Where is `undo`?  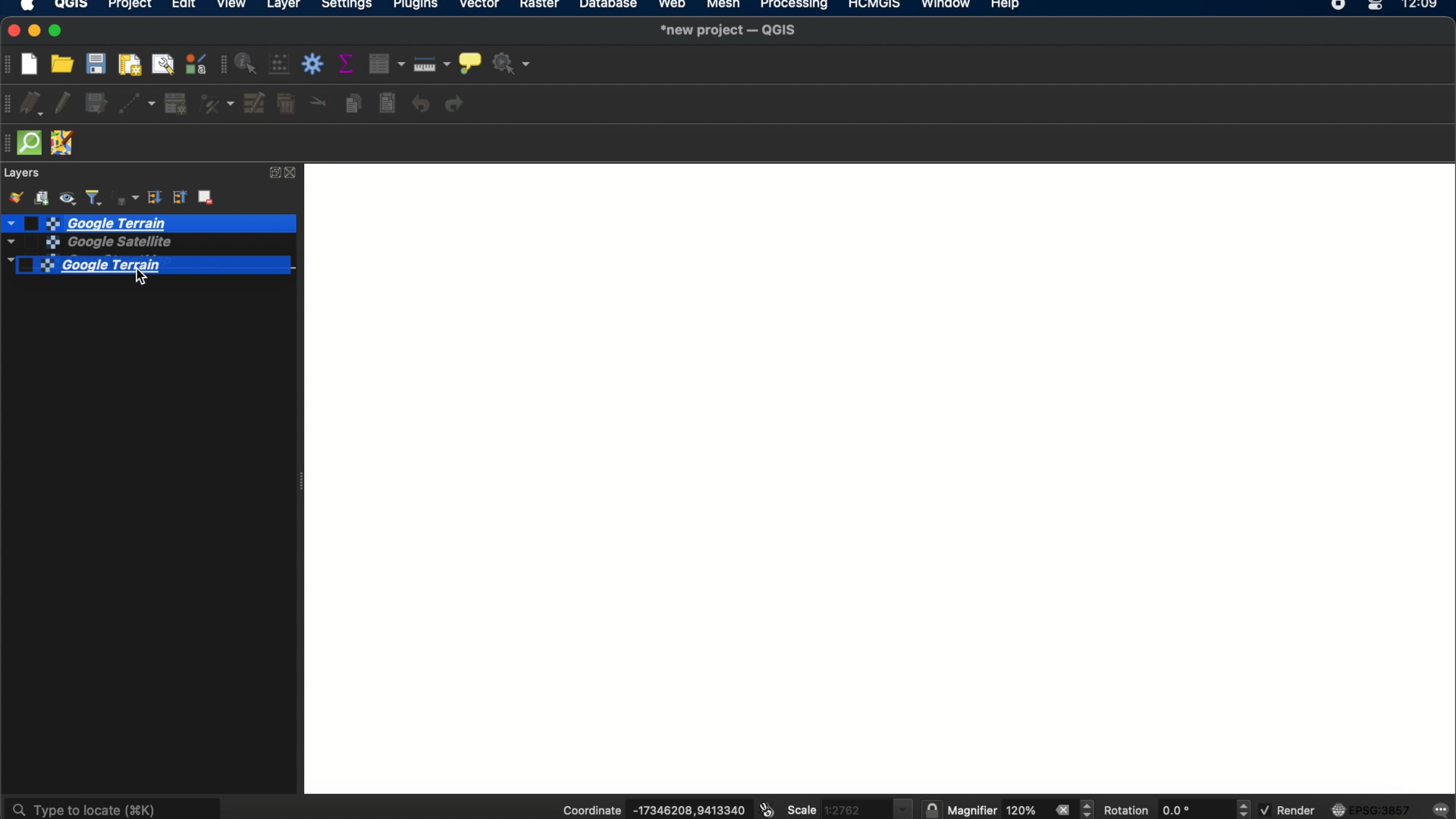 undo is located at coordinates (421, 105).